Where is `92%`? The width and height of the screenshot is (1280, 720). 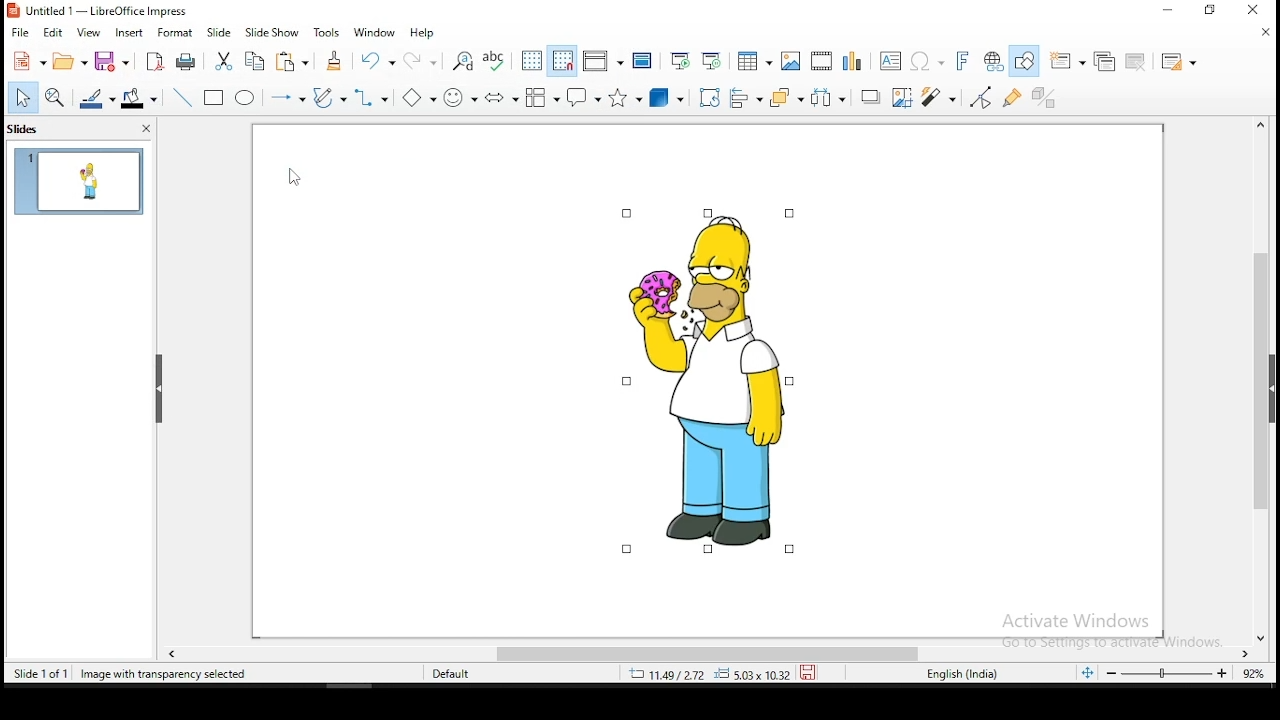 92% is located at coordinates (1253, 675).